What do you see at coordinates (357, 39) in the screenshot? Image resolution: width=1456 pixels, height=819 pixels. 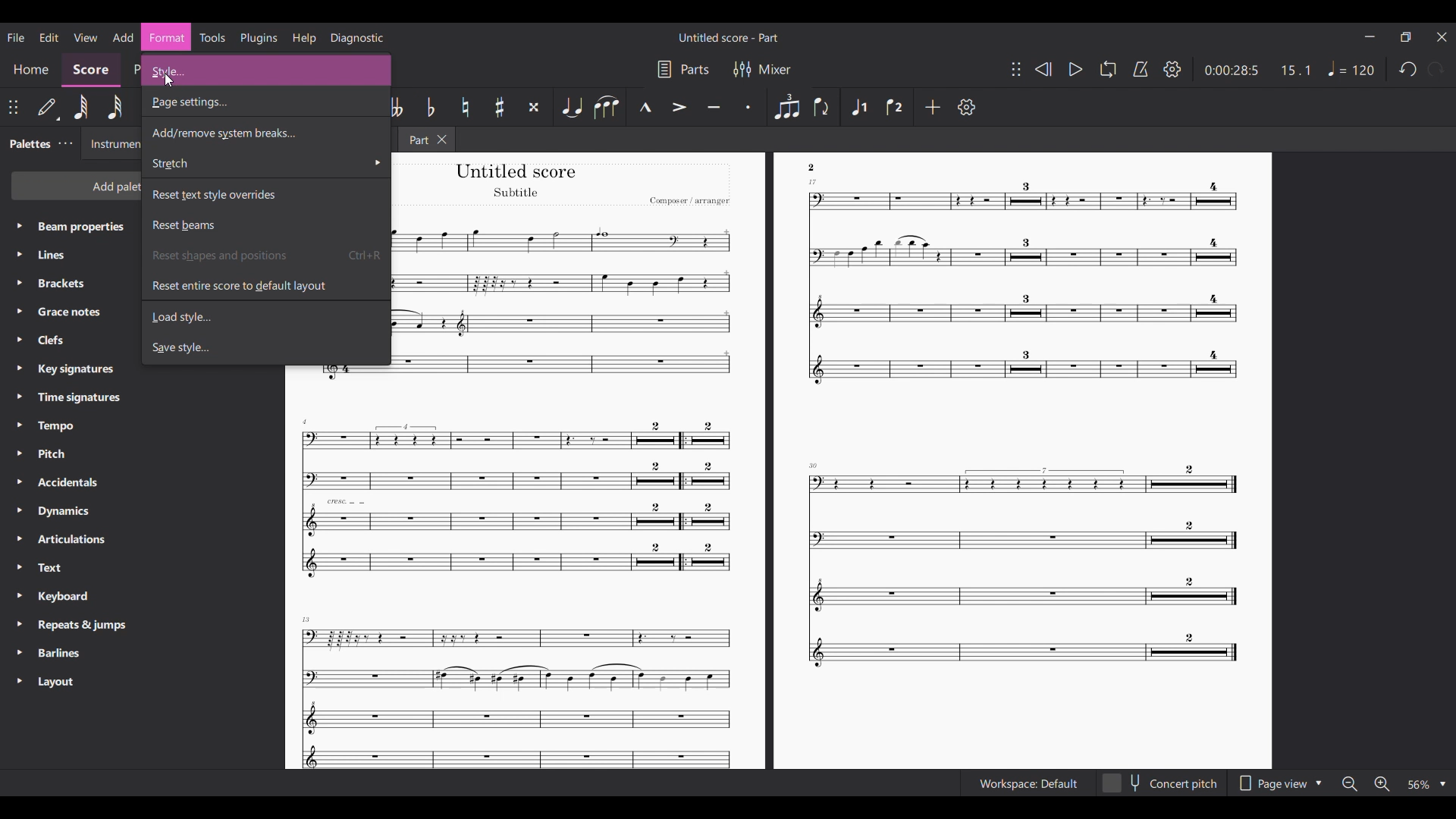 I see `Diagnostic menu` at bounding box center [357, 39].